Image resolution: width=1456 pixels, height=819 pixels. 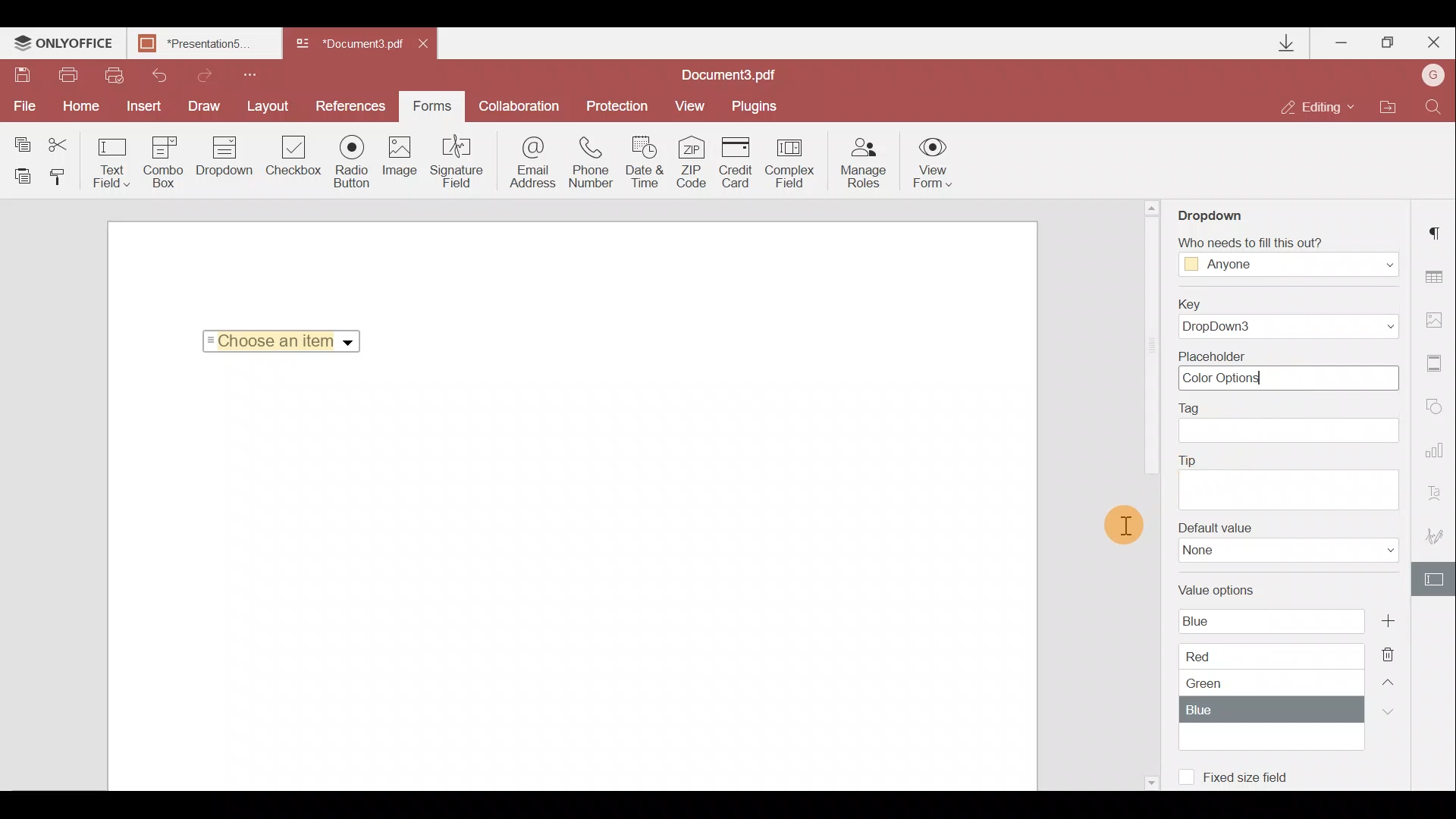 What do you see at coordinates (695, 106) in the screenshot?
I see `View` at bounding box center [695, 106].